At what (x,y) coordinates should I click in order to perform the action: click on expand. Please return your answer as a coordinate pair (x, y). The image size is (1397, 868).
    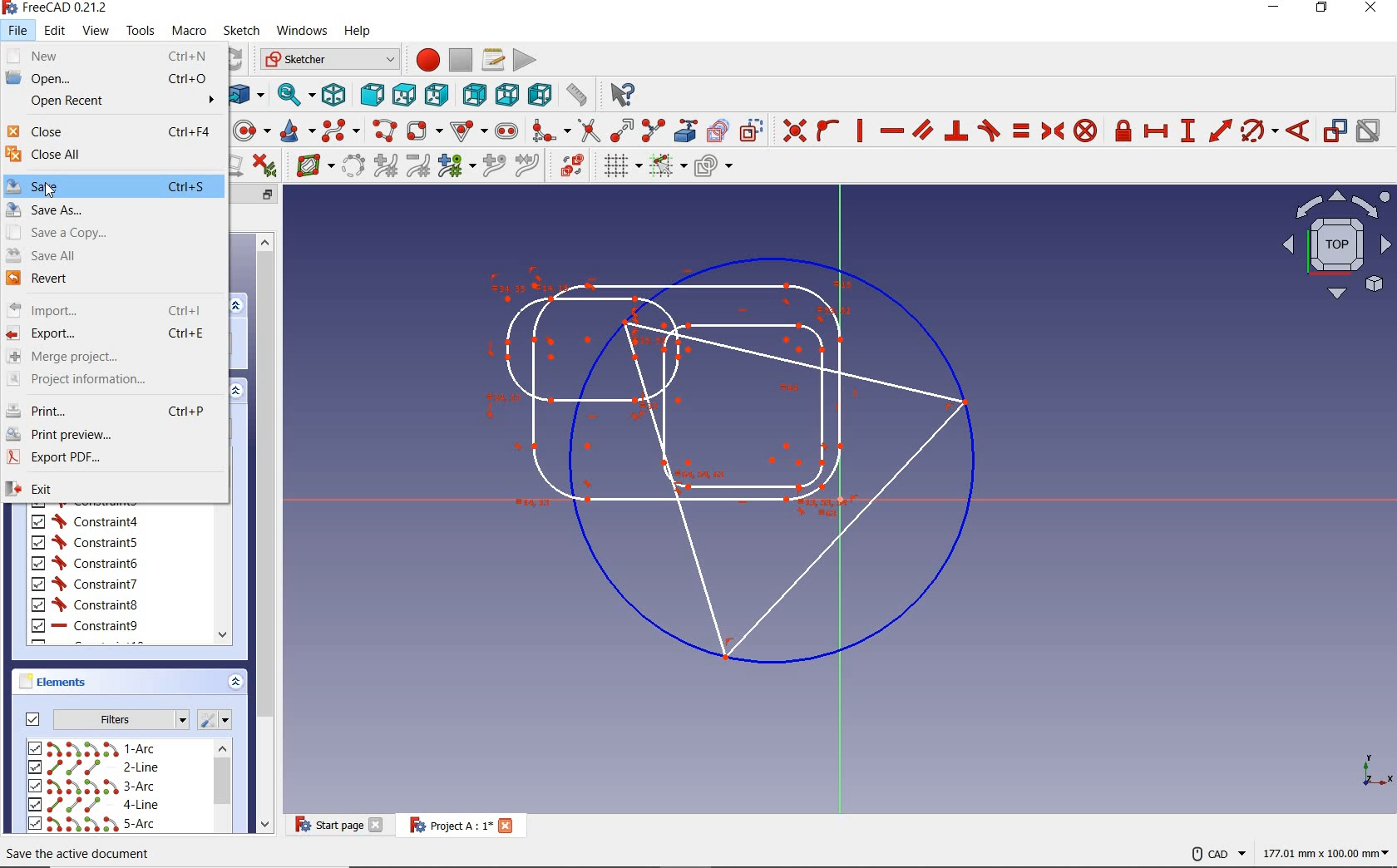
    Looking at the image, I should click on (237, 390).